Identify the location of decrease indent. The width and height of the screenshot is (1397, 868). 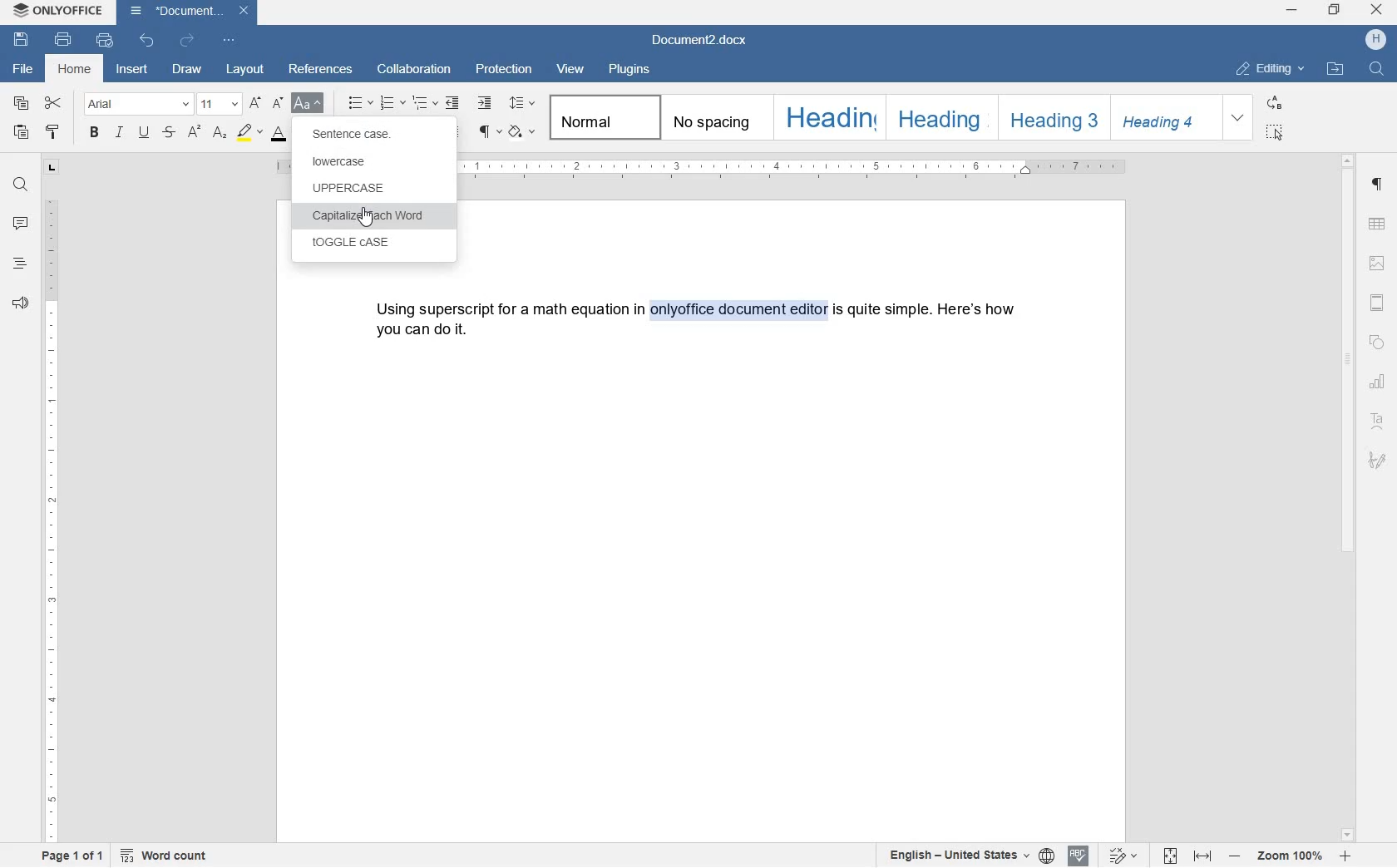
(453, 104).